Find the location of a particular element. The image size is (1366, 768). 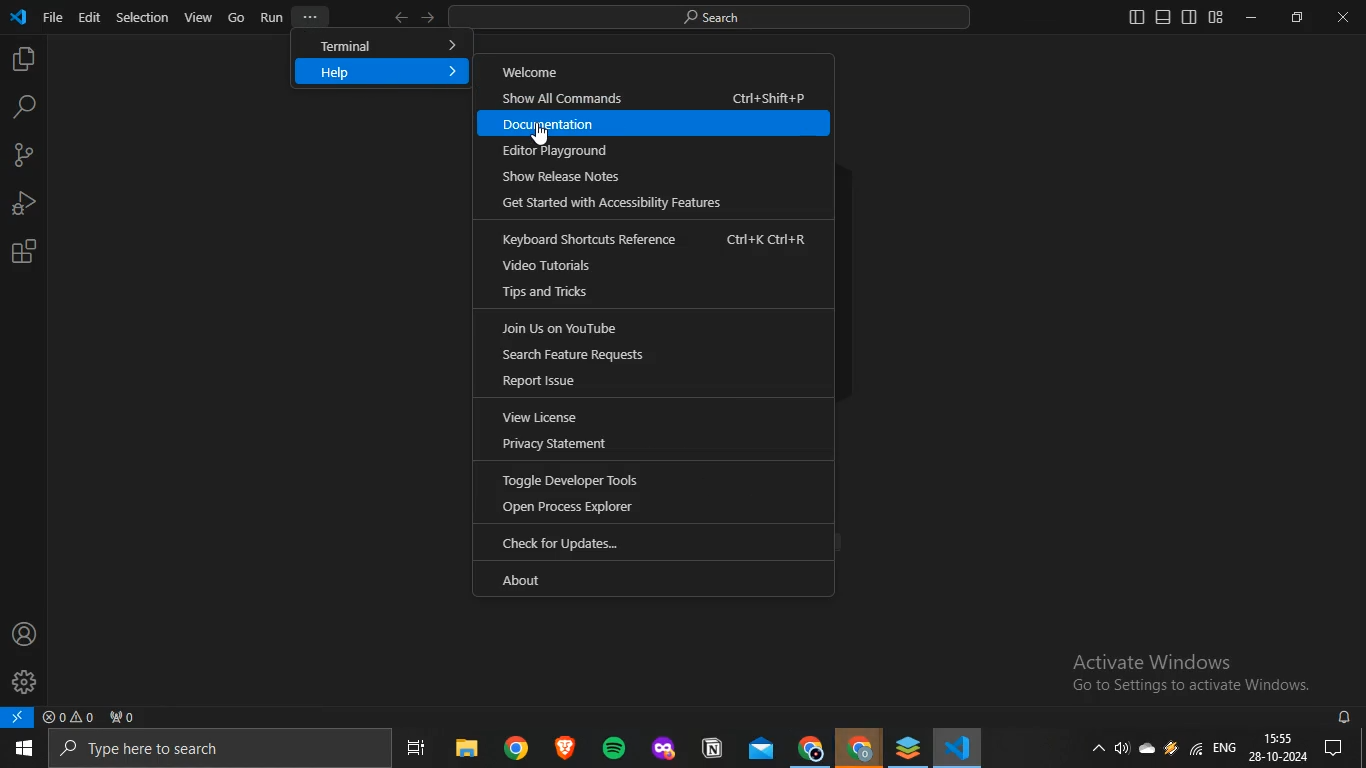

volume is located at coordinates (1121, 751).